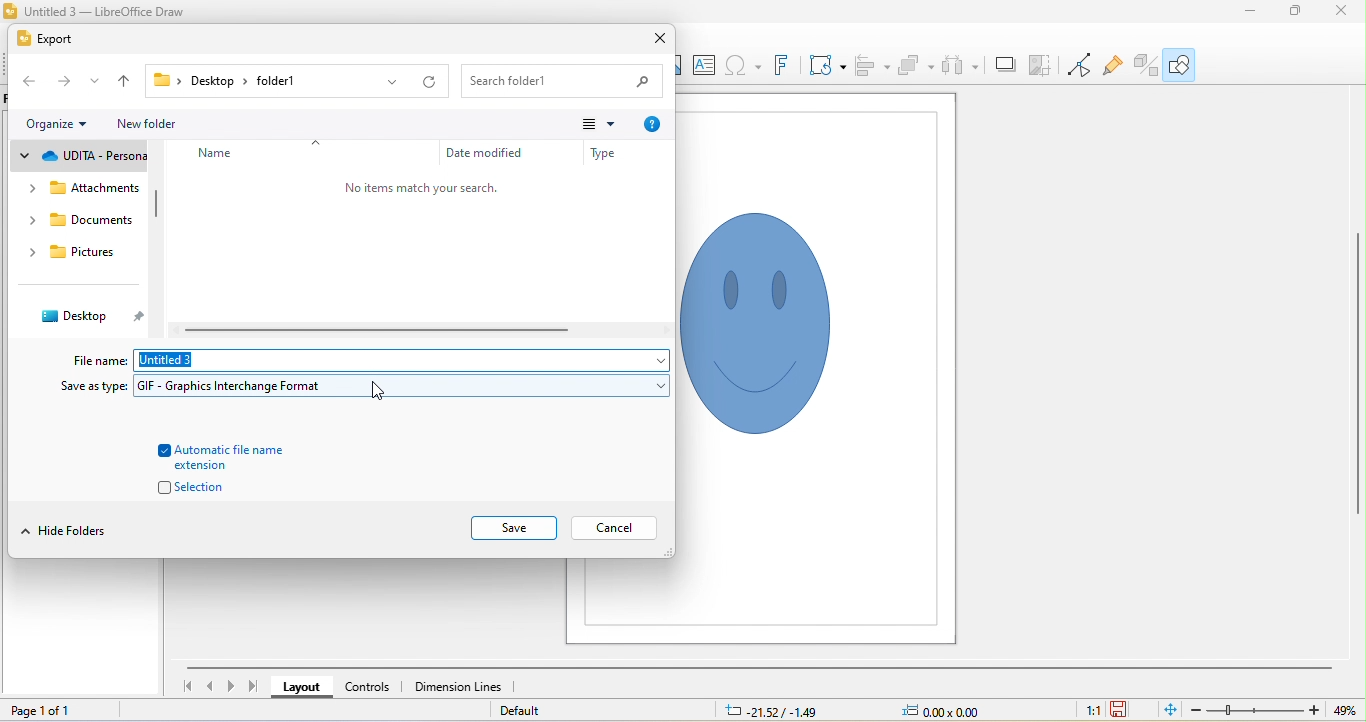 This screenshot has width=1366, height=722. I want to click on vertical scroll bar, so click(155, 216).